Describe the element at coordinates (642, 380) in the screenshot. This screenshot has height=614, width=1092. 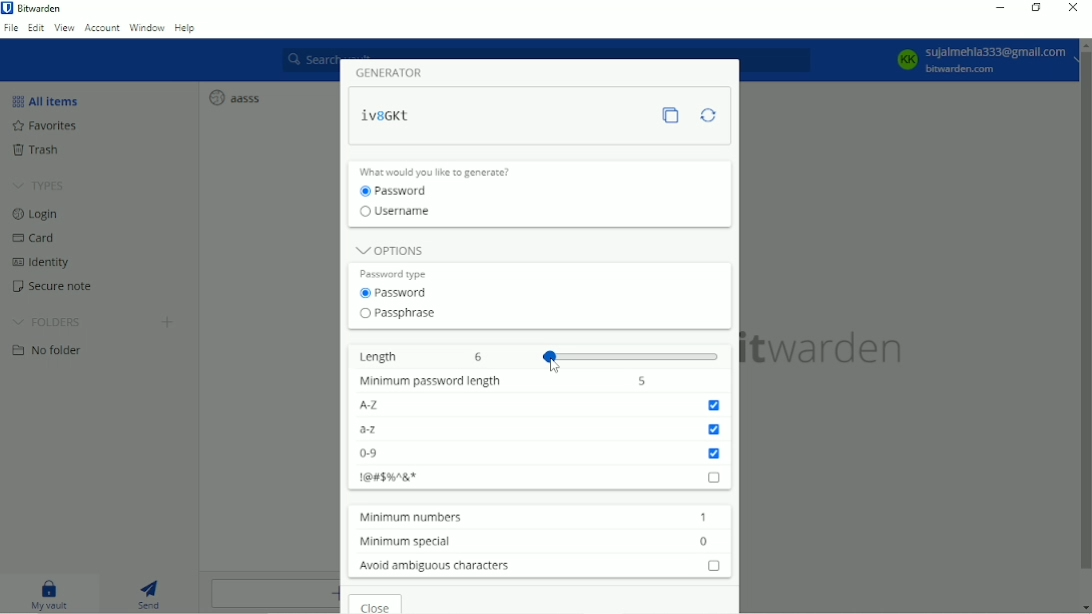
I see `5` at that location.